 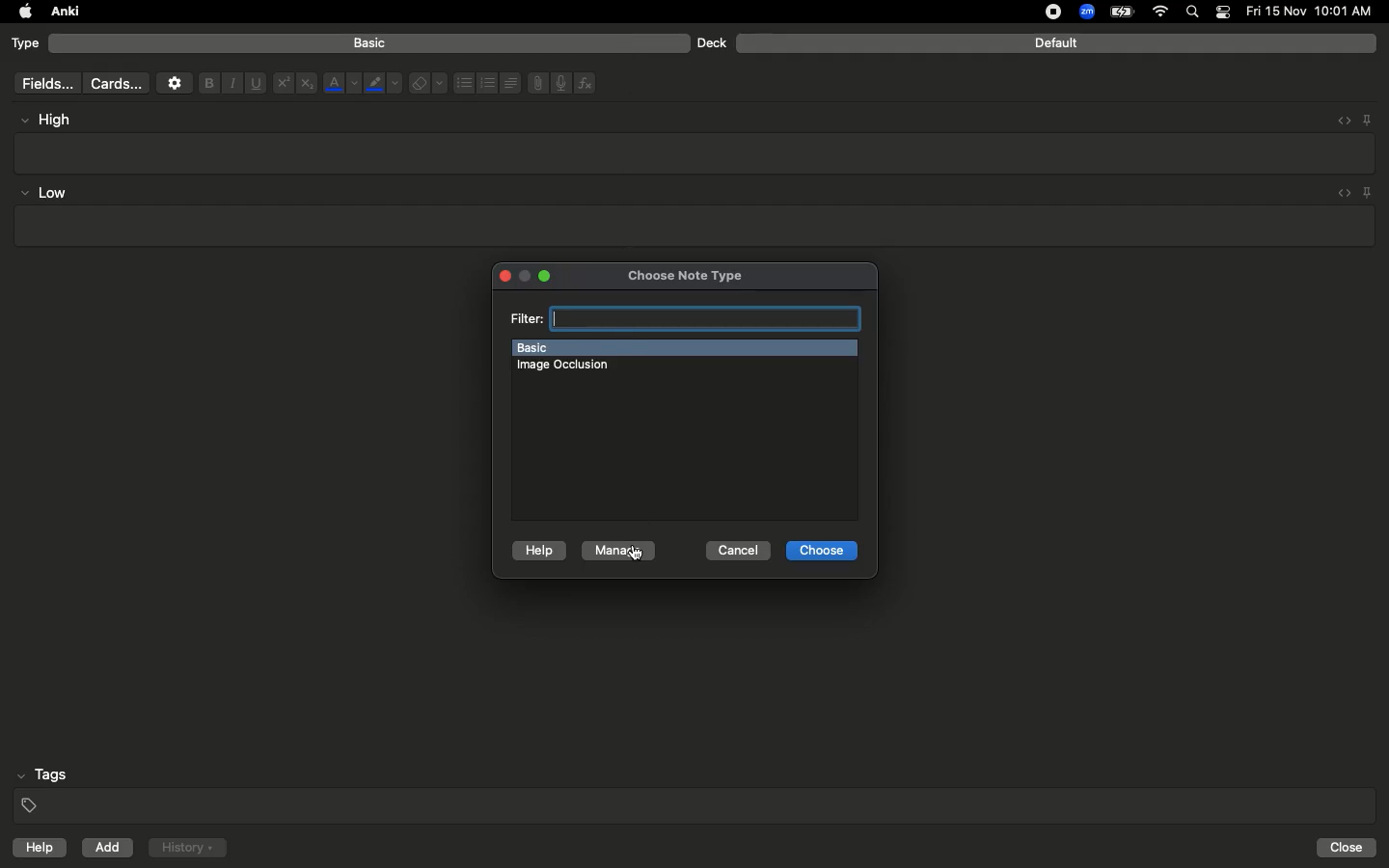 I want to click on File, so click(x=534, y=83).